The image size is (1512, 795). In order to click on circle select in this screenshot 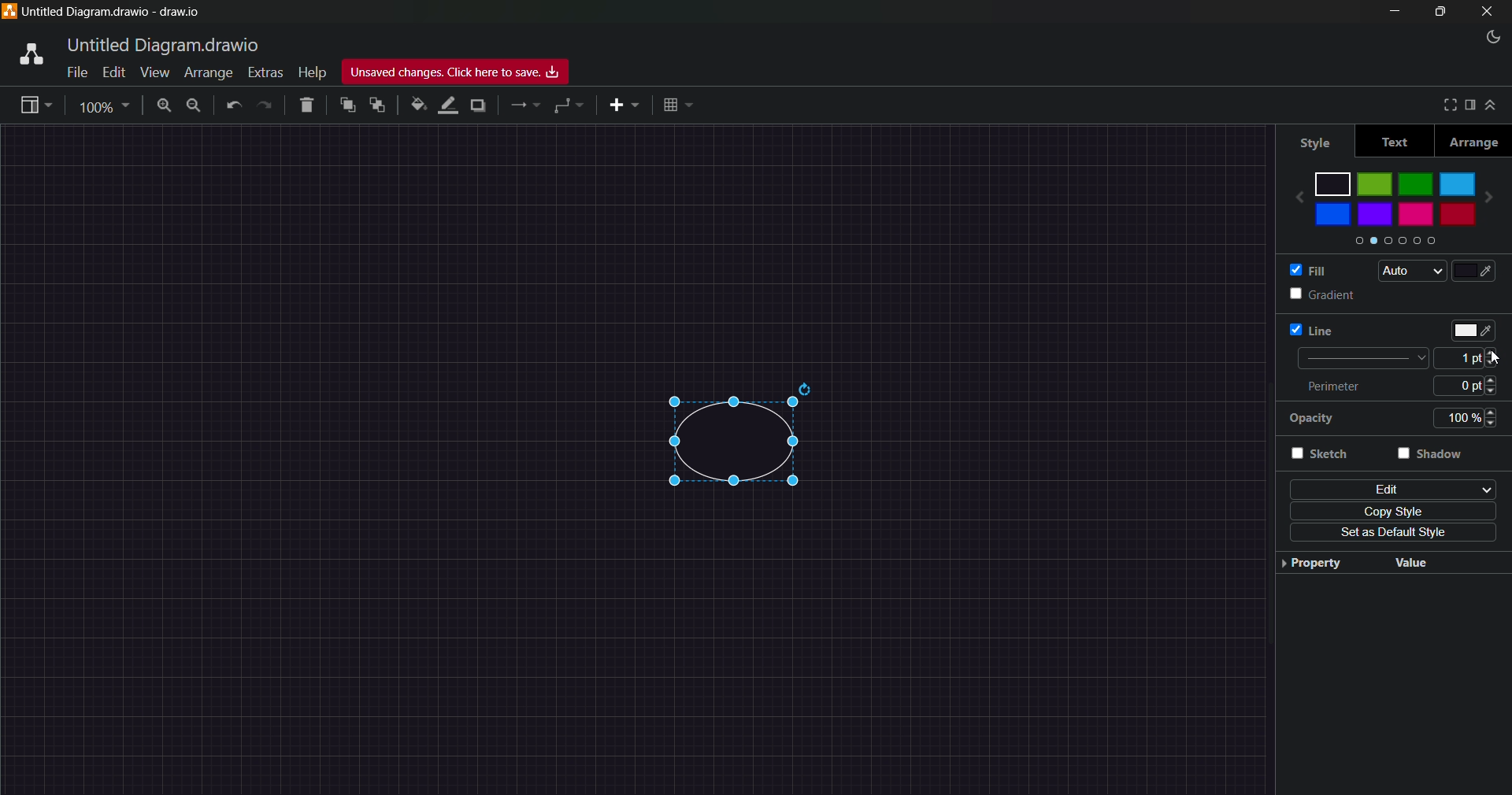, I will do `click(726, 446)`.